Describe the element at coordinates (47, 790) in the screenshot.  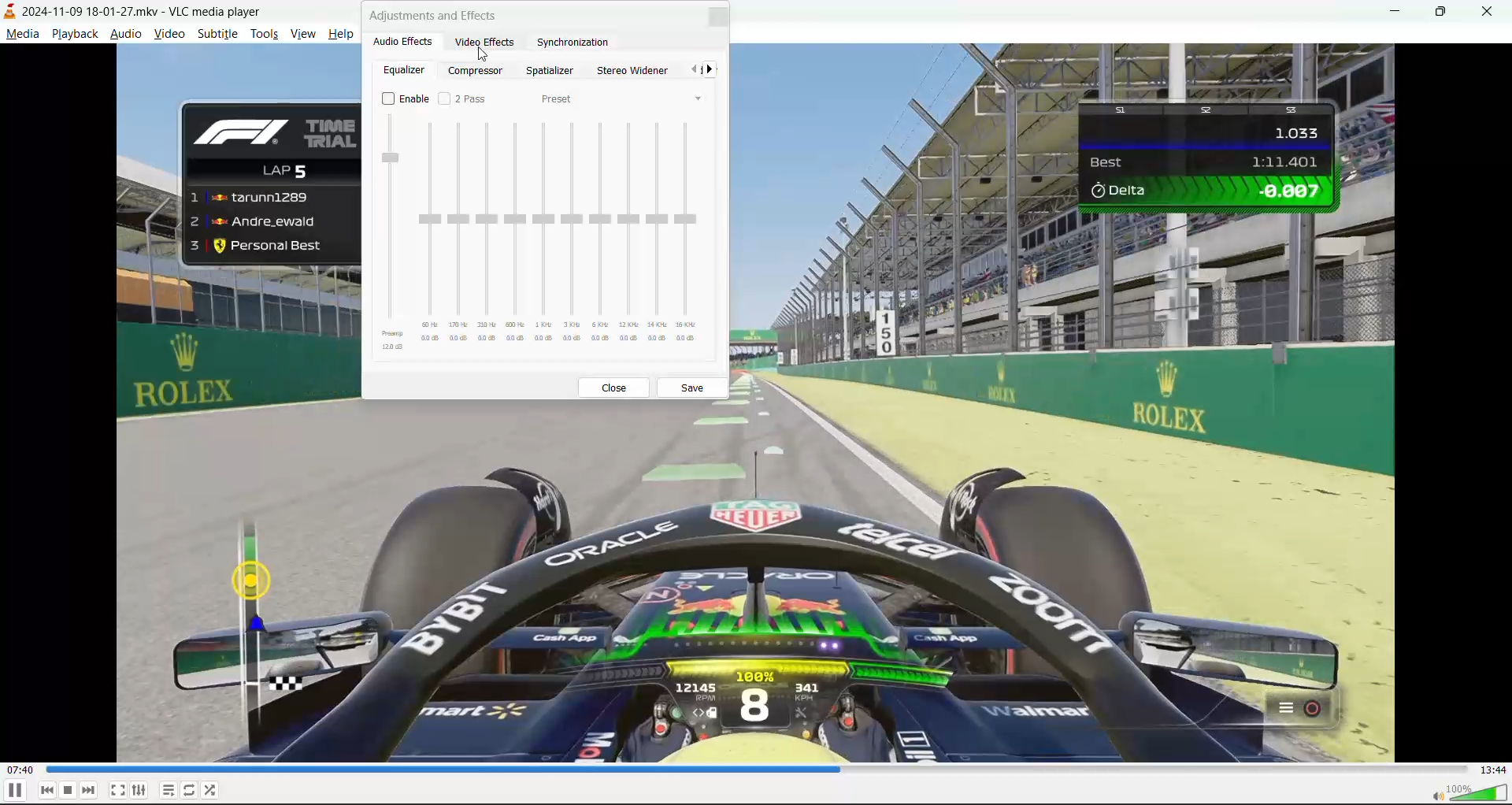
I see `previous` at that location.